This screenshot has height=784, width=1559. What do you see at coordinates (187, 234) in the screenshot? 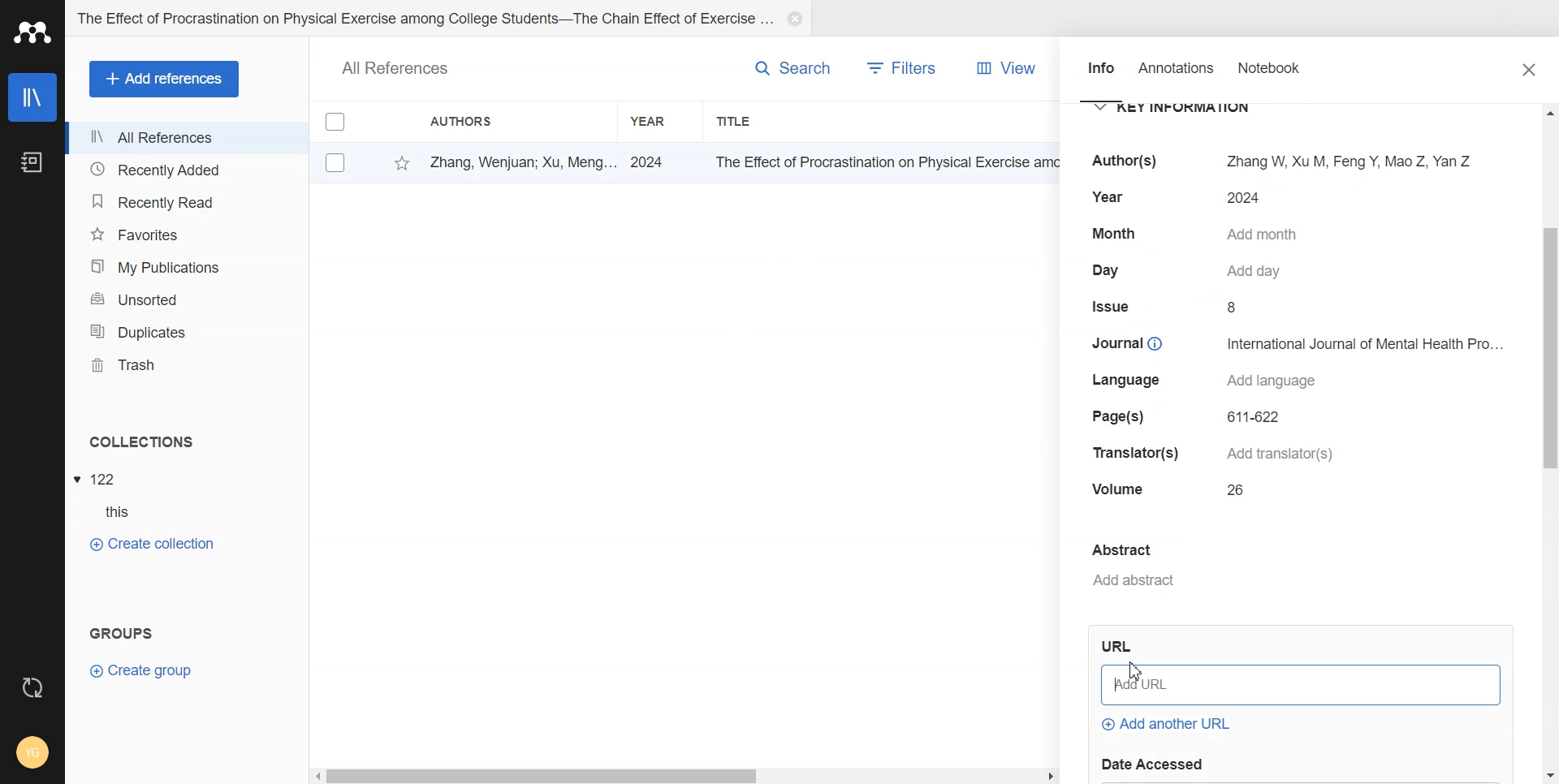
I see `Favorites` at bounding box center [187, 234].